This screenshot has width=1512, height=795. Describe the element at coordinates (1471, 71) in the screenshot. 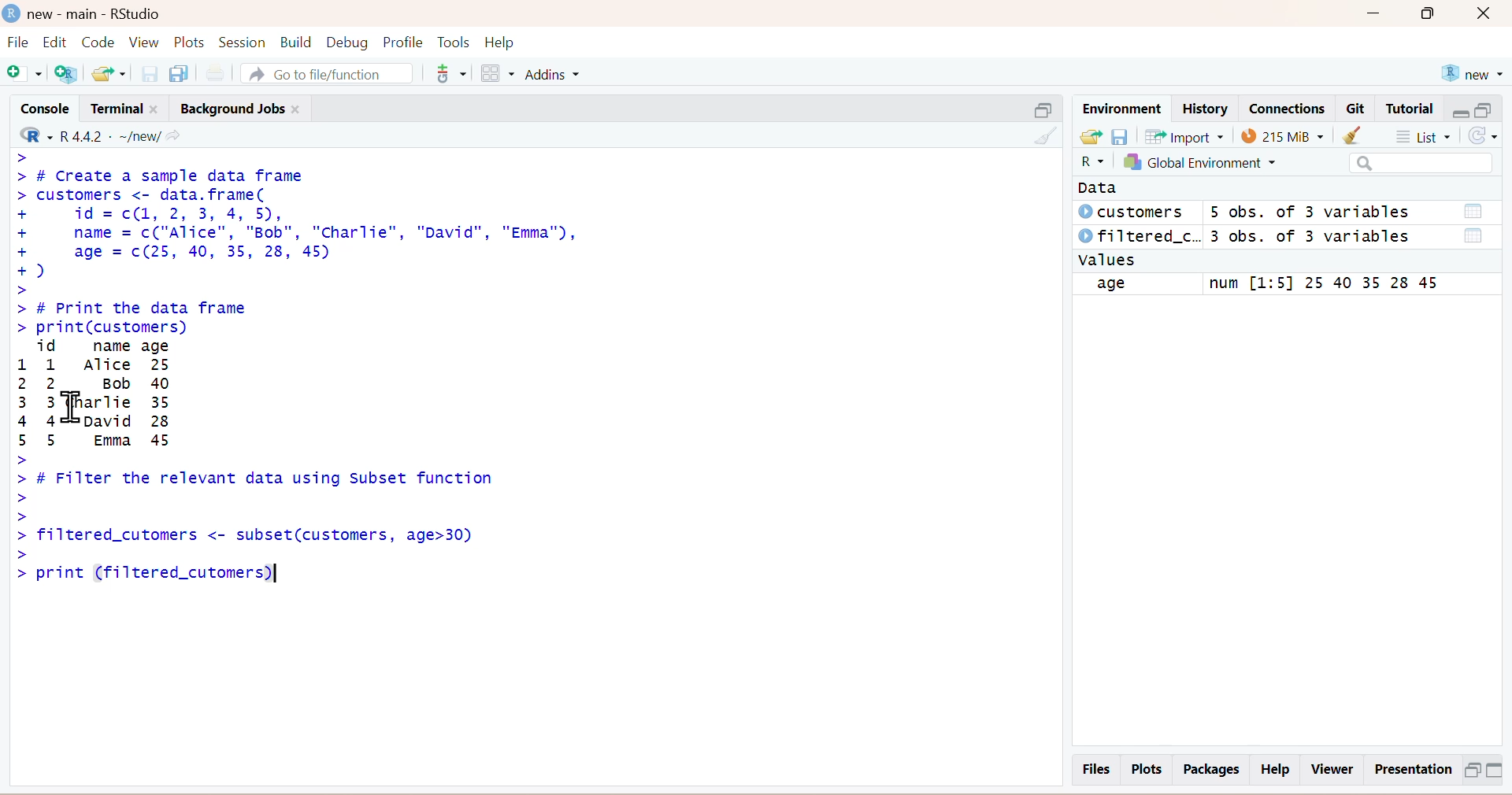

I see `new` at that location.